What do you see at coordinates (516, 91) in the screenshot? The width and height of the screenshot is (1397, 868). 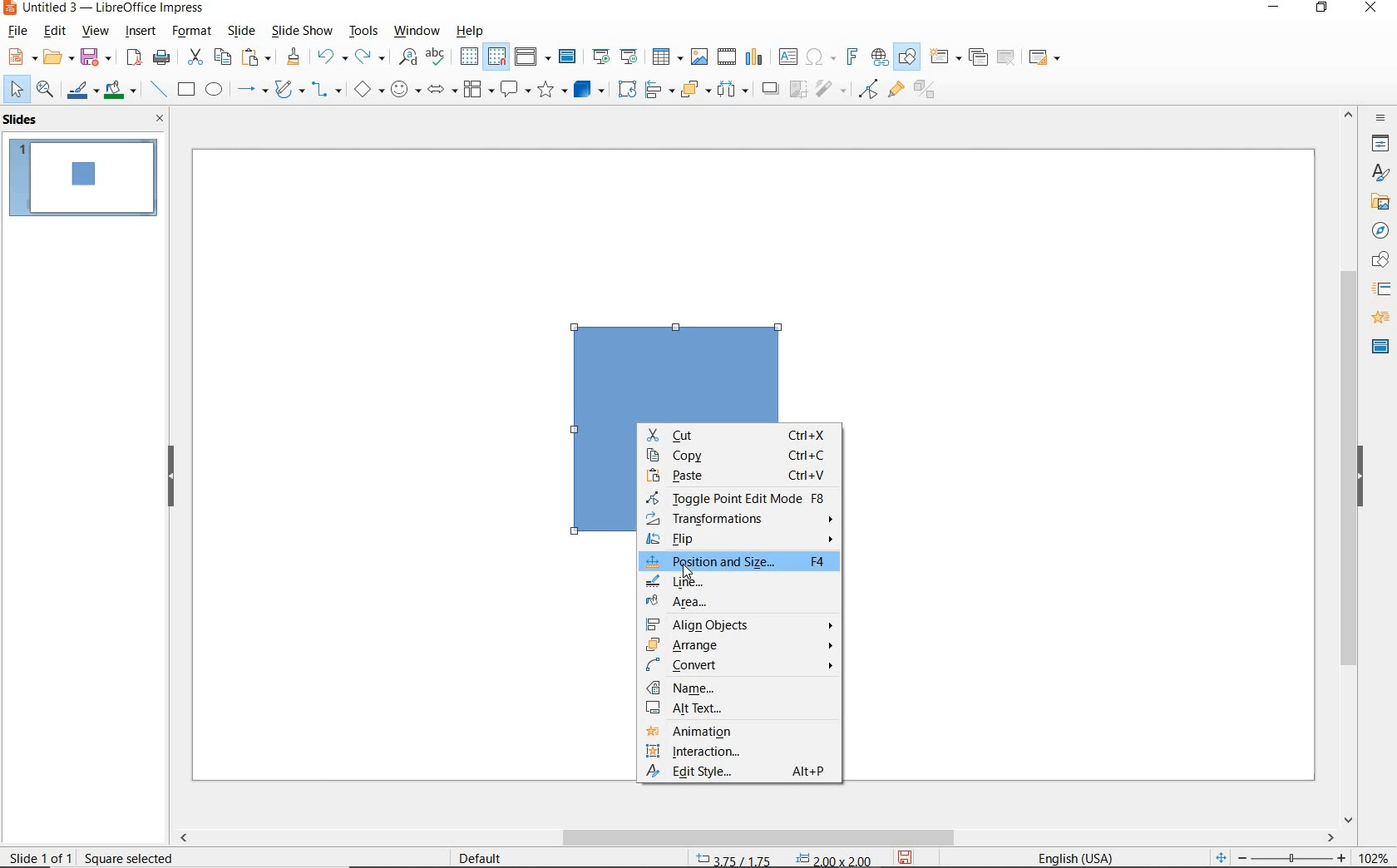 I see `callout shapes` at bounding box center [516, 91].